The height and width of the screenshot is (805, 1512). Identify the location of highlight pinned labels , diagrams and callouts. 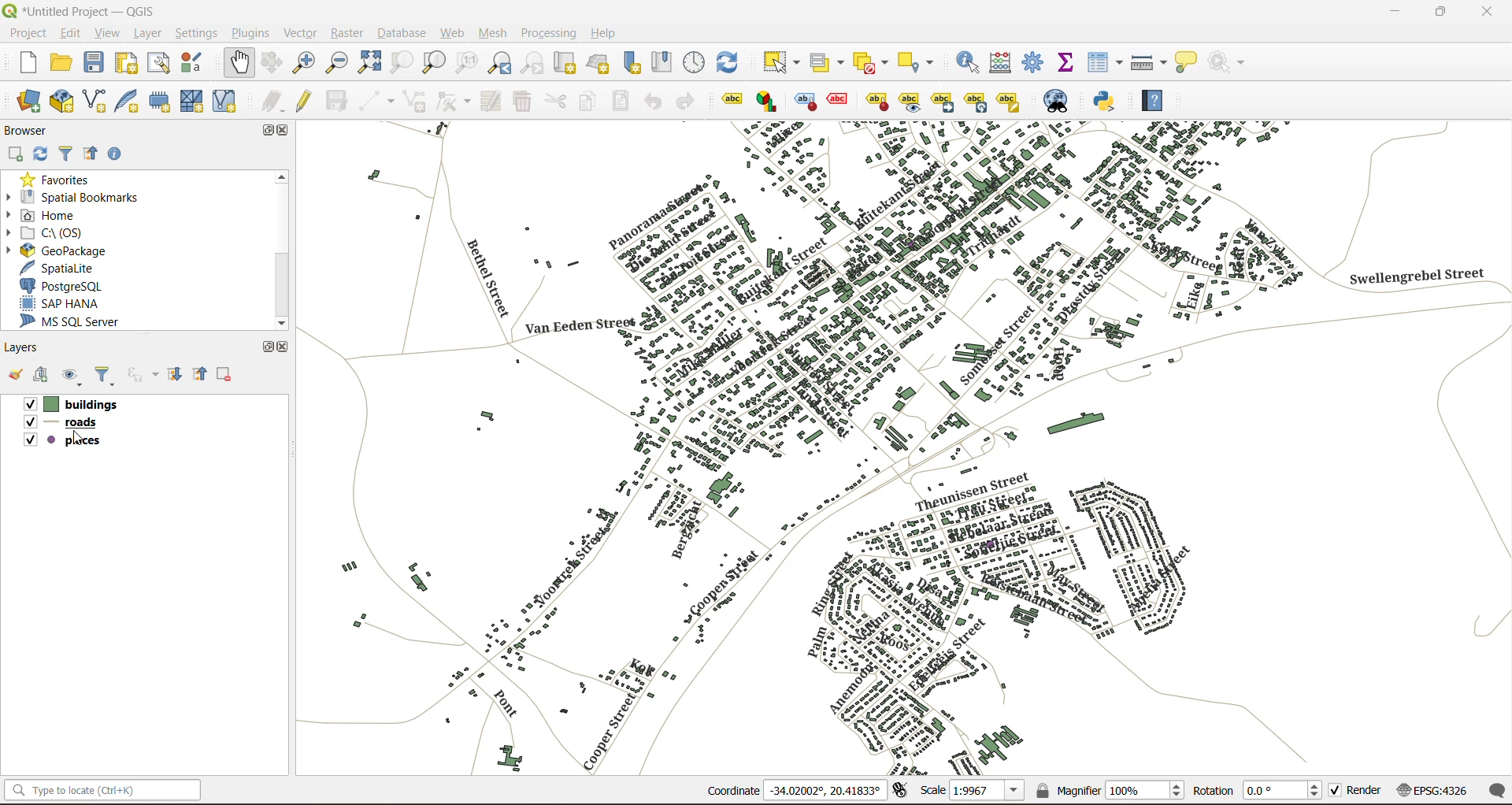
(806, 101).